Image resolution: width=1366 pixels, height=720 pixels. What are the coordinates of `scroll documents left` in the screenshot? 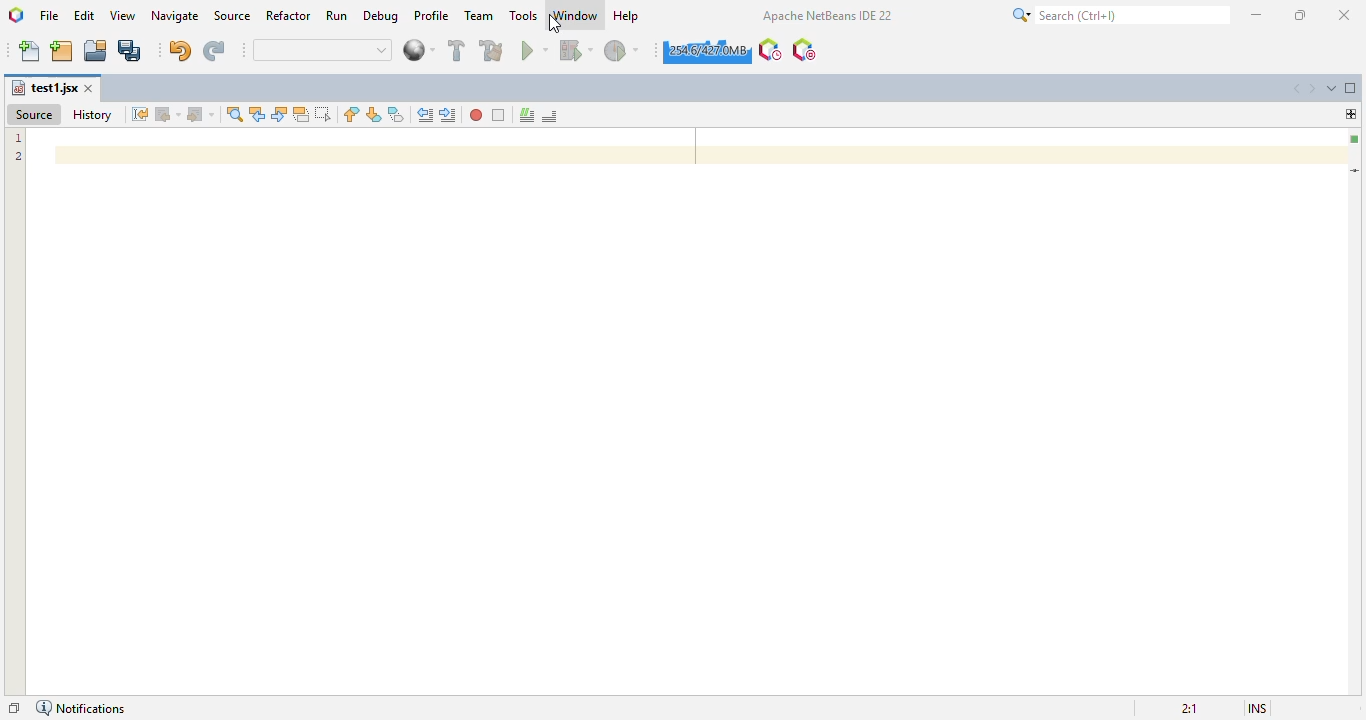 It's located at (1298, 89).